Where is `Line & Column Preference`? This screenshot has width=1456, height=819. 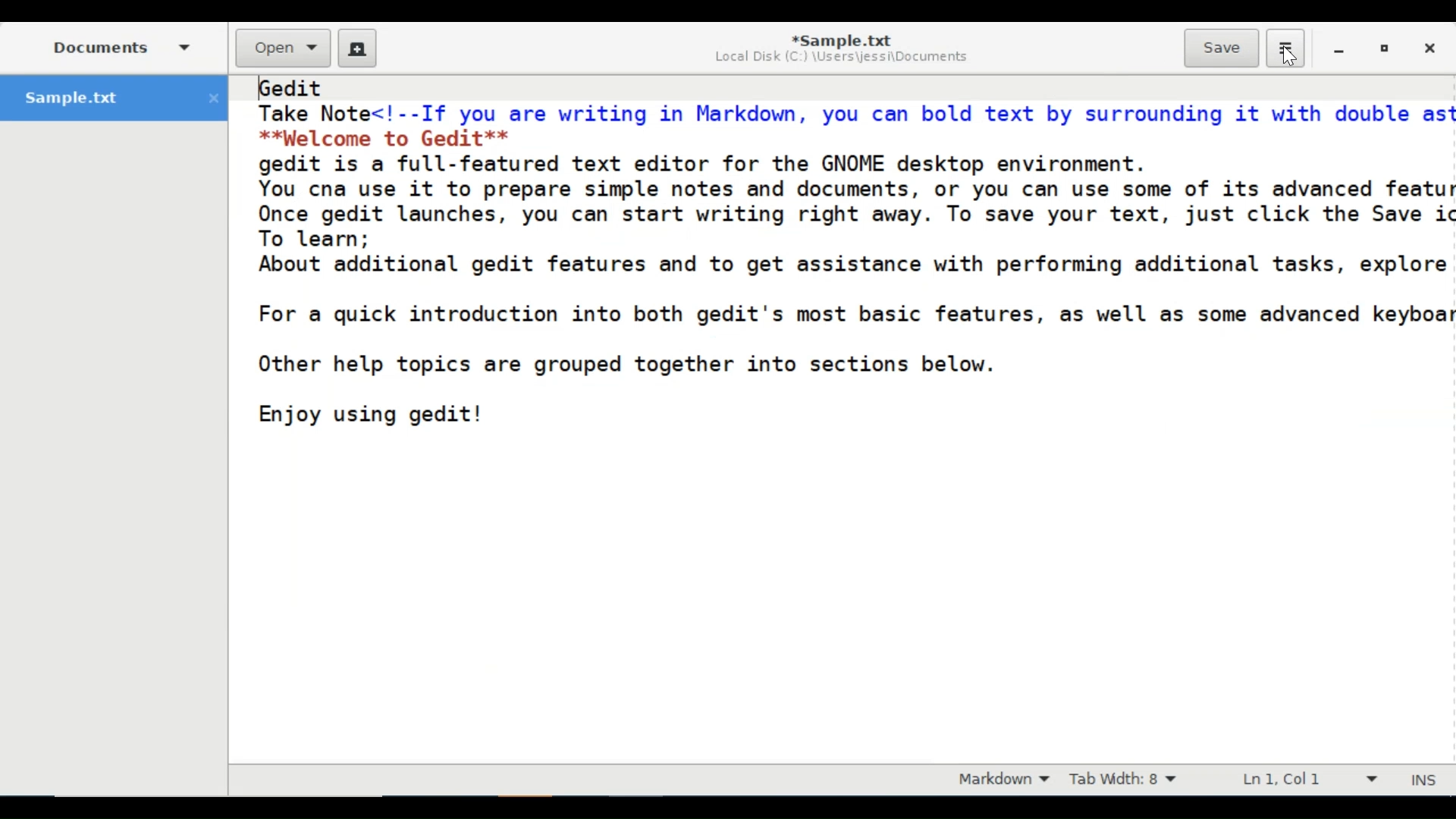
Line & Column Preference is located at coordinates (1305, 778).